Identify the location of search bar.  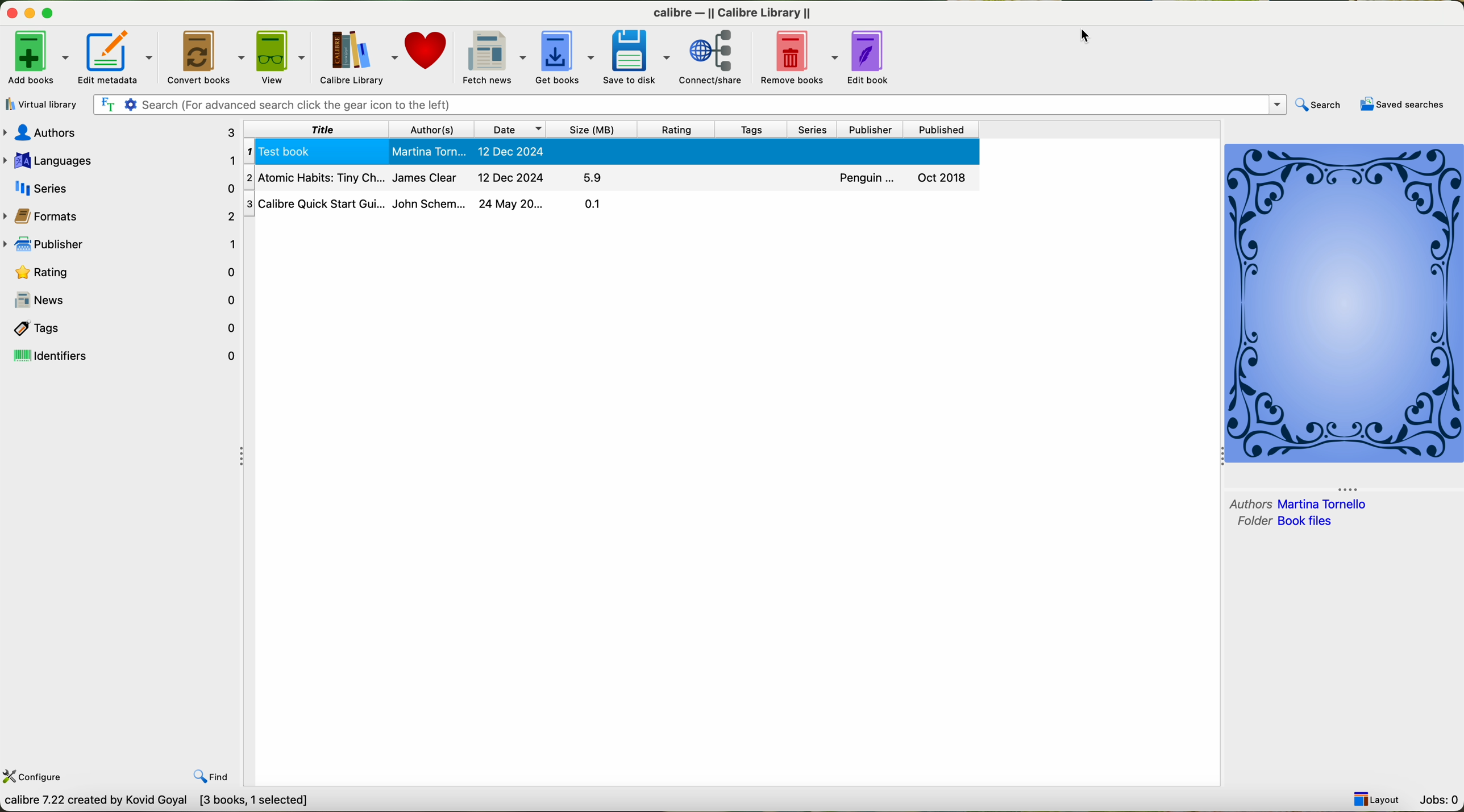
(693, 105).